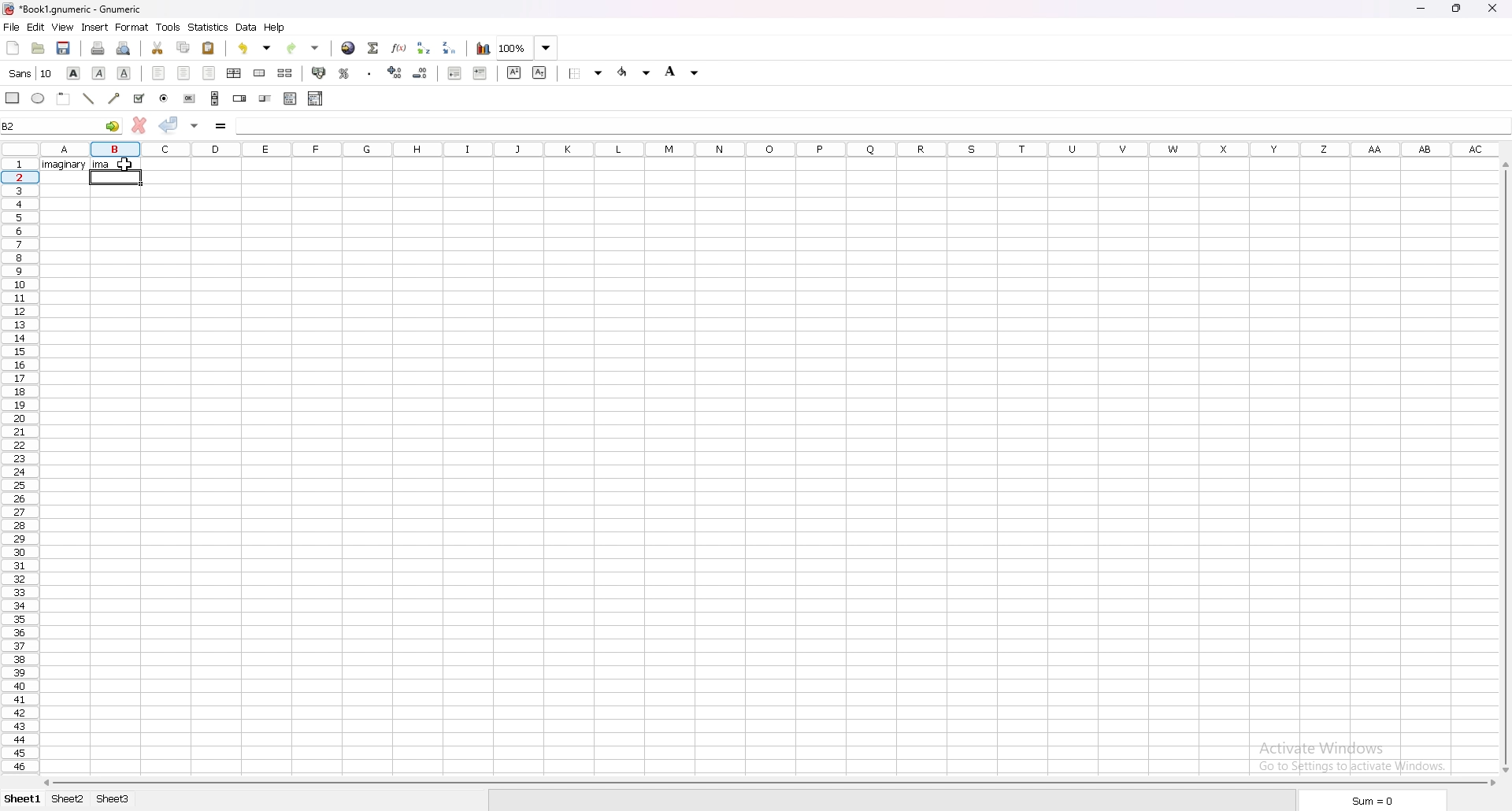 This screenshot has height=811, width=1512. I want to click on edit, so click(36, 27).